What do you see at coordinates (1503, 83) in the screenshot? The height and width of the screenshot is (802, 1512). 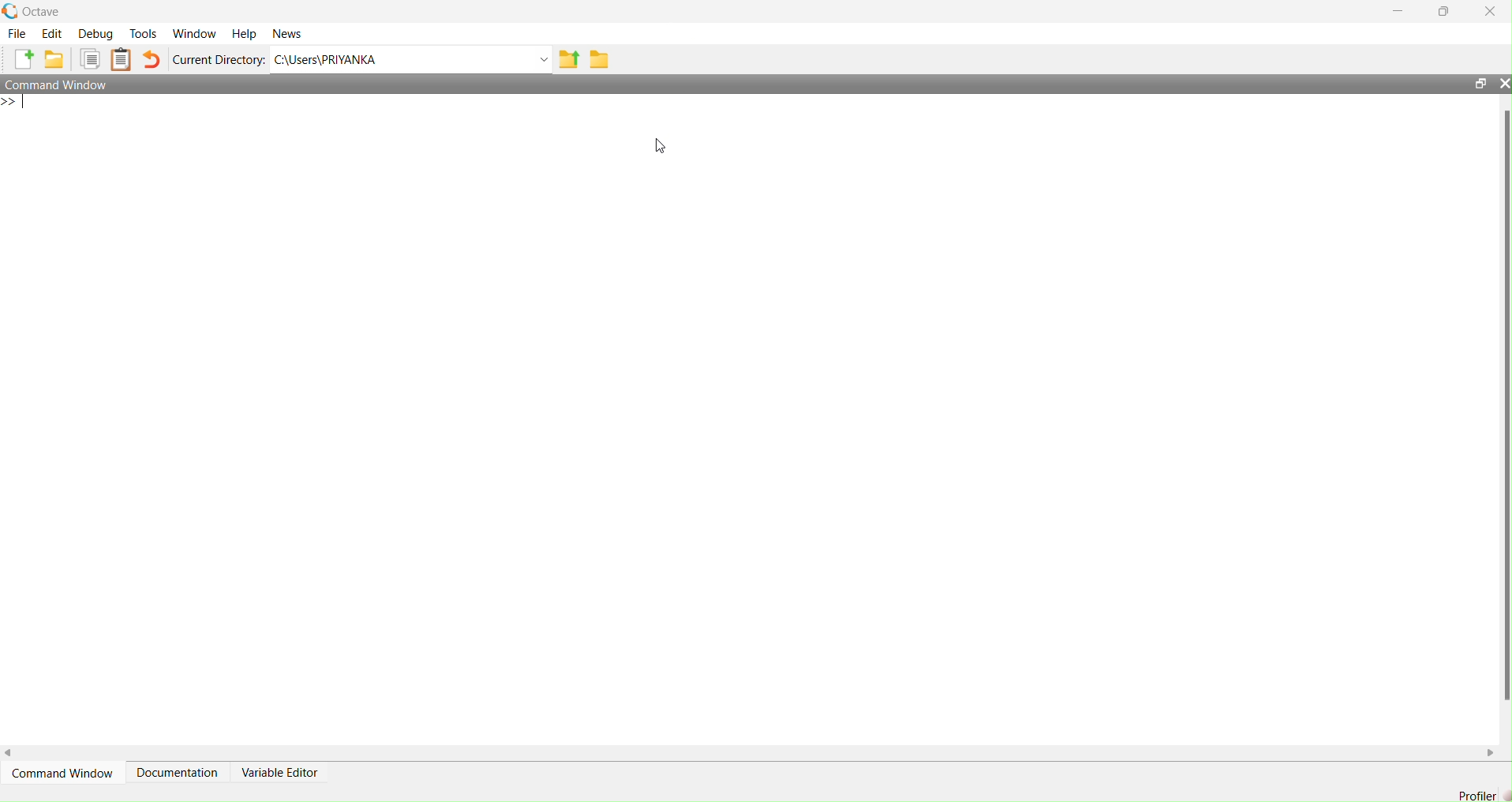 I see `close` at bounding box center [1503, 83].